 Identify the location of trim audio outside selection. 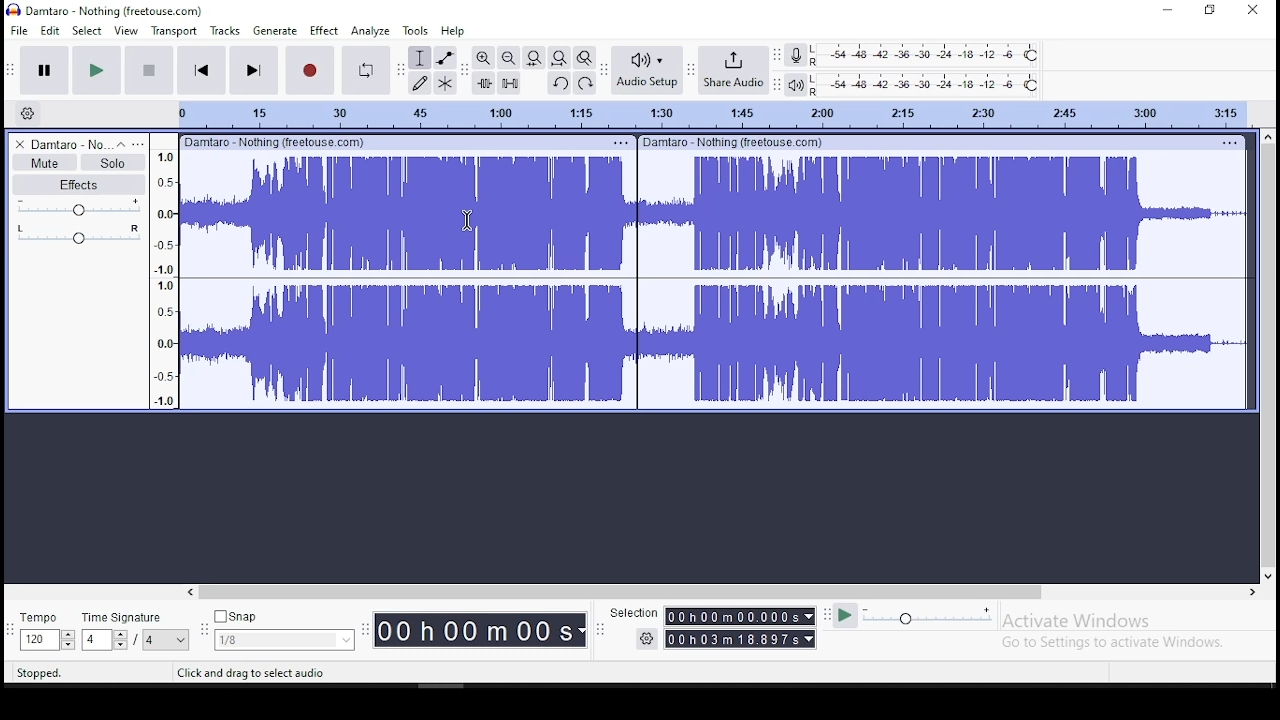
(484, 83).